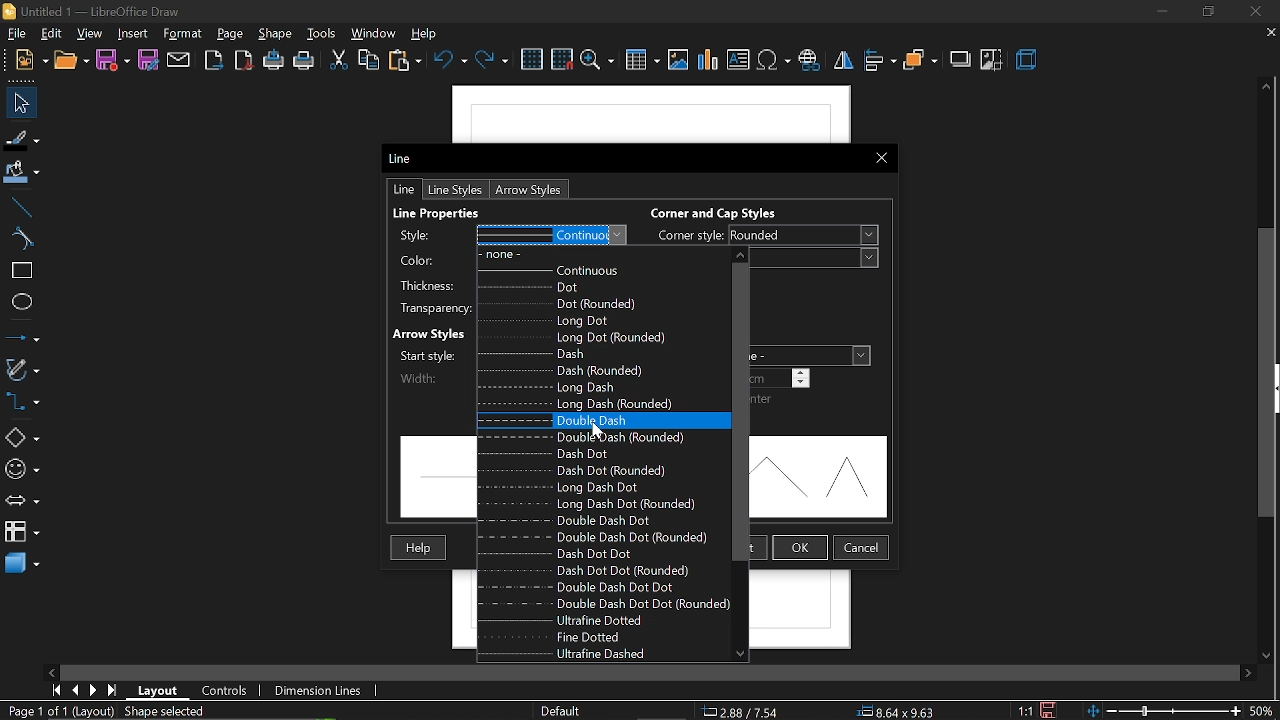  Describe the element at coordinates (741, 254) in the screenshot. I see `Move up` at that location.